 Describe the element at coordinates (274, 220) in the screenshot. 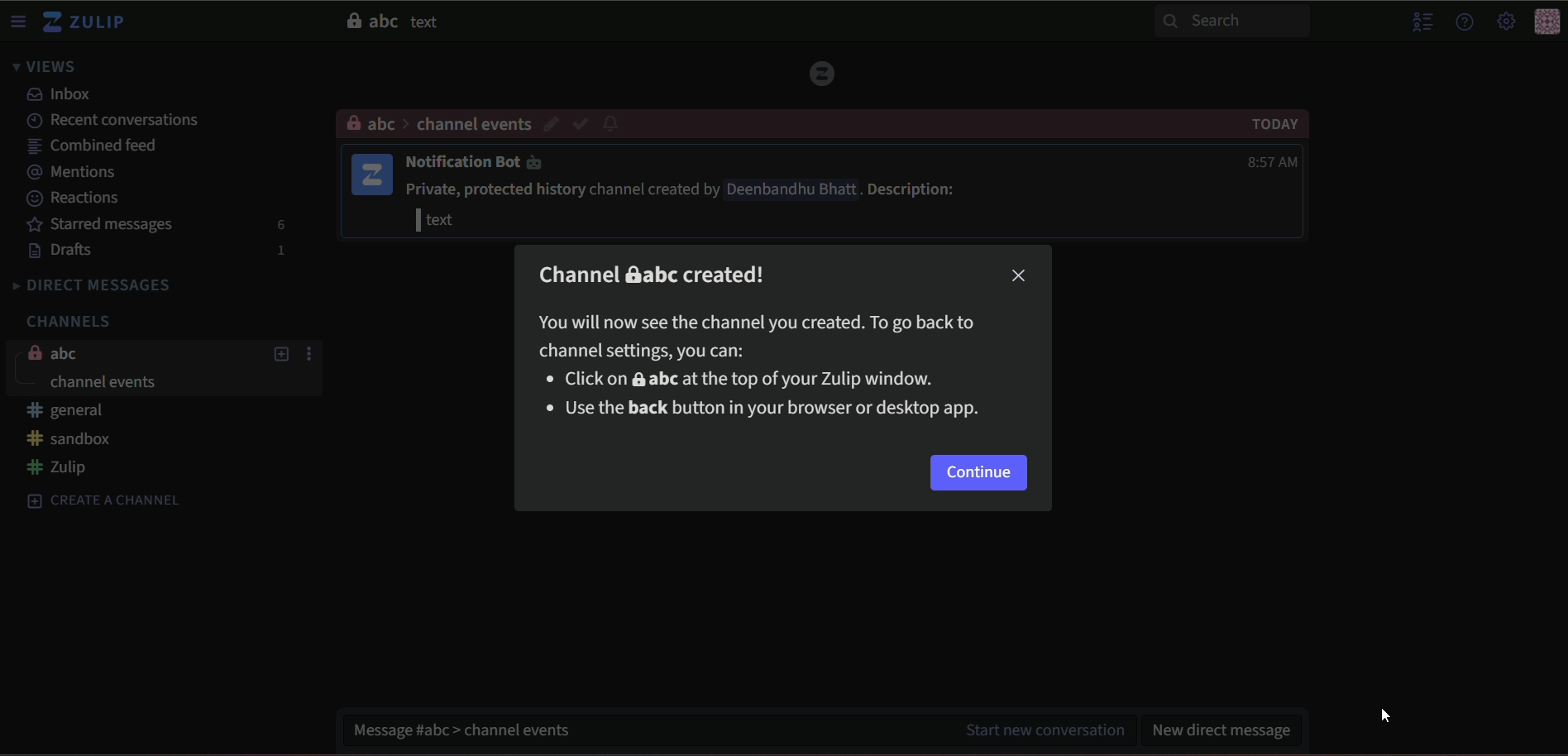

I see `6` at that location.